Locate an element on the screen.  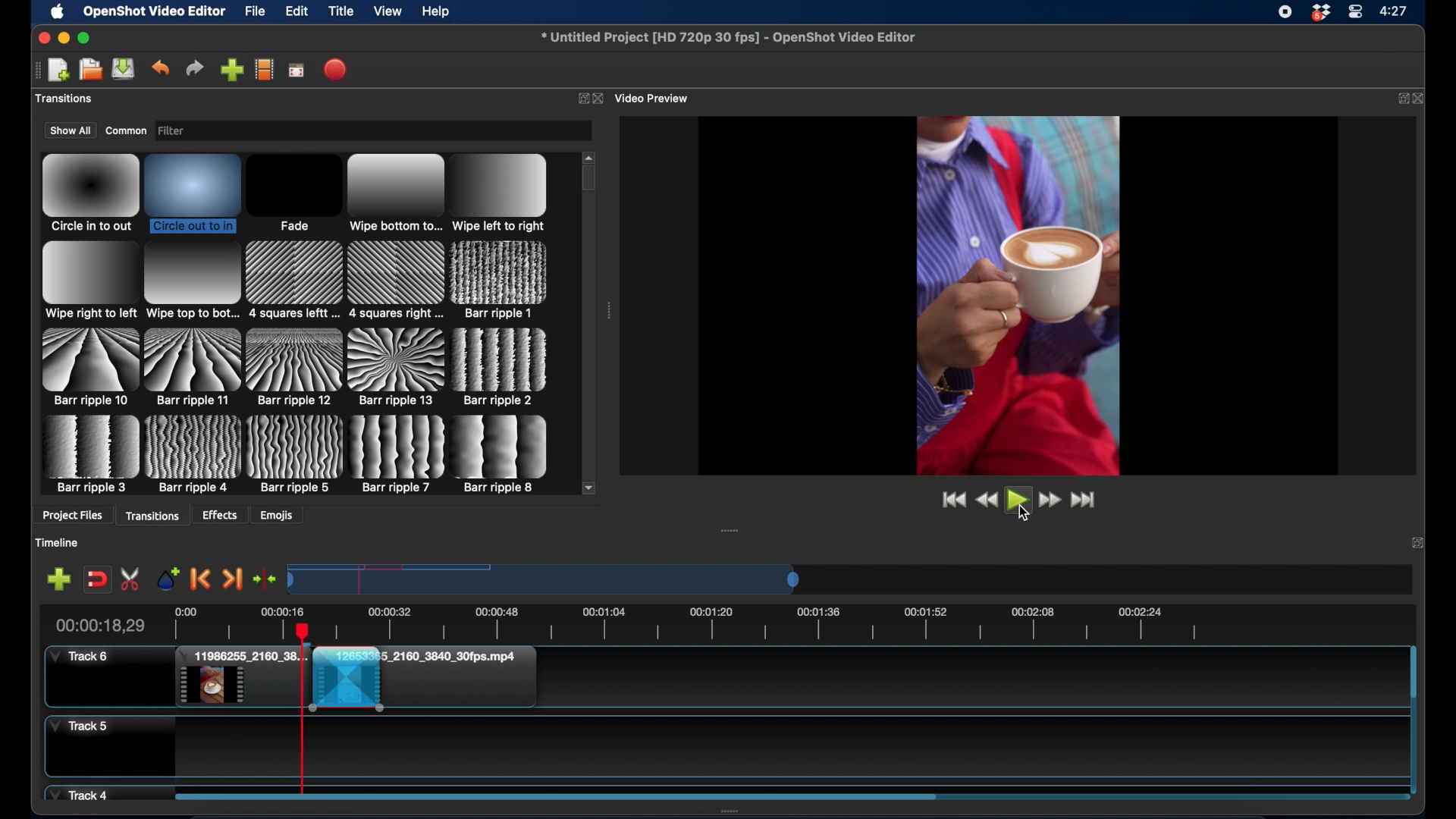
scroll up arrow is located at coordinates (590, 155).